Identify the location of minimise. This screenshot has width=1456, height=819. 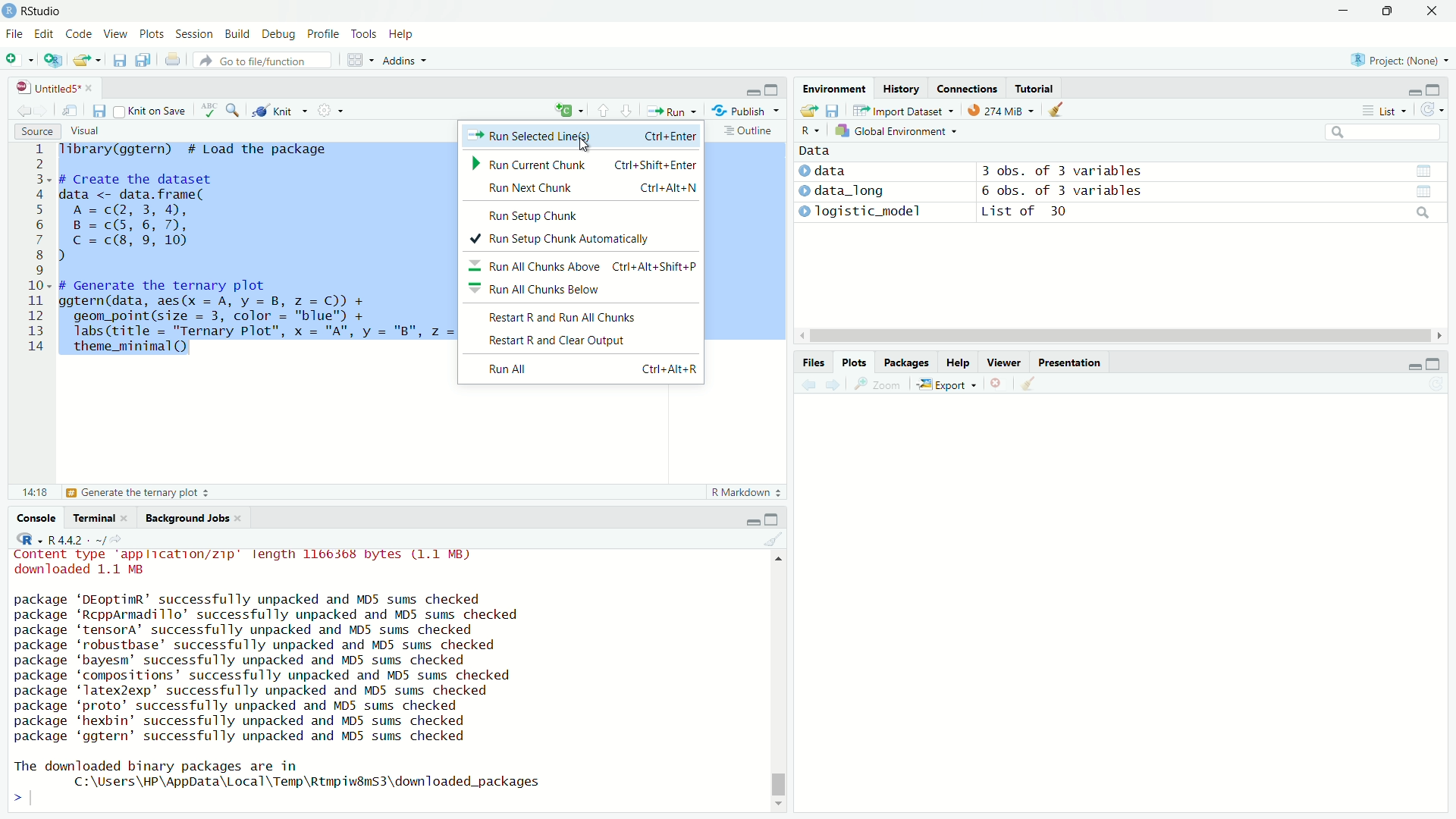
(1409, 366).